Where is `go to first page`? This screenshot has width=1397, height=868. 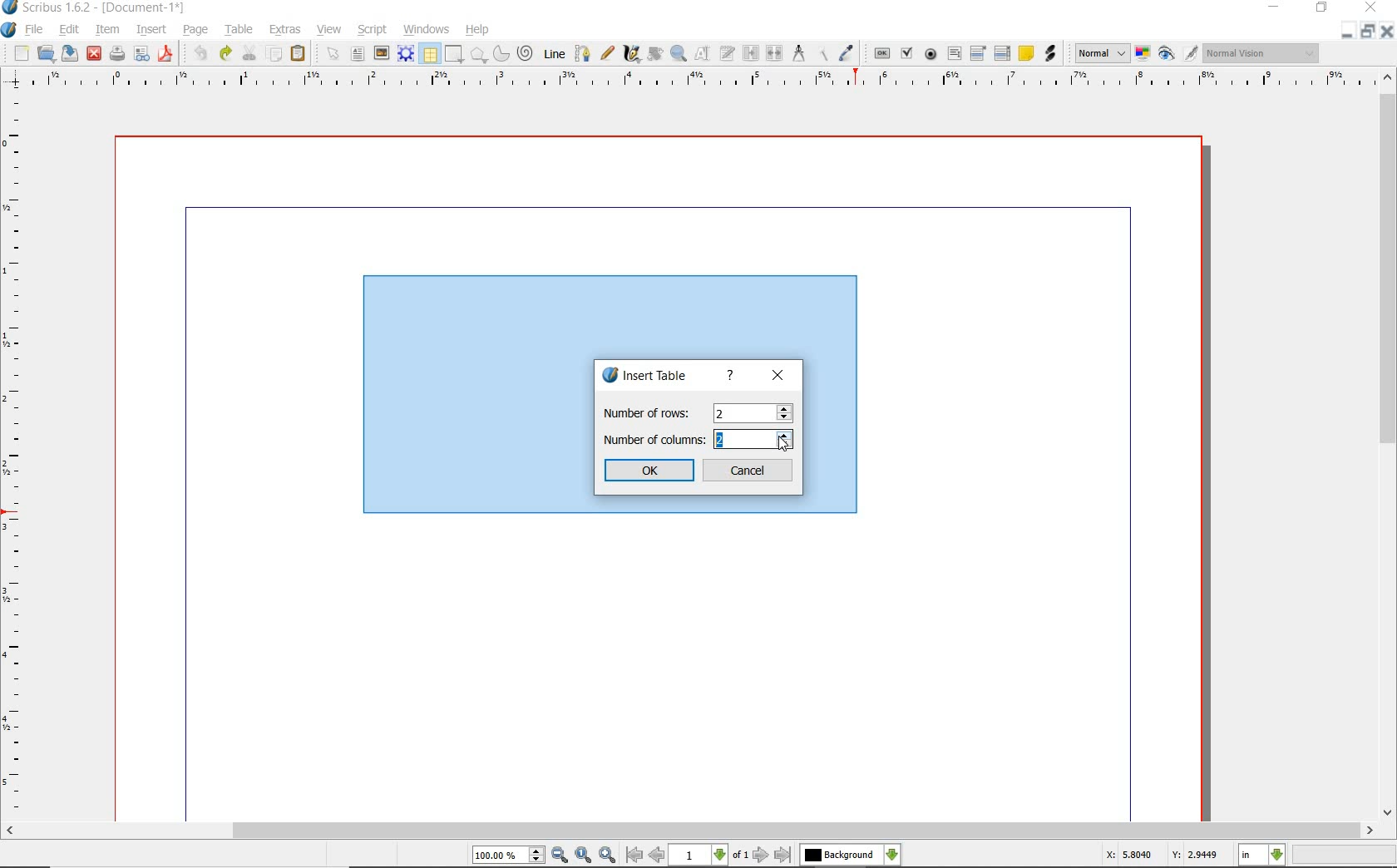
go to first page is located at coordinates (634, 856).